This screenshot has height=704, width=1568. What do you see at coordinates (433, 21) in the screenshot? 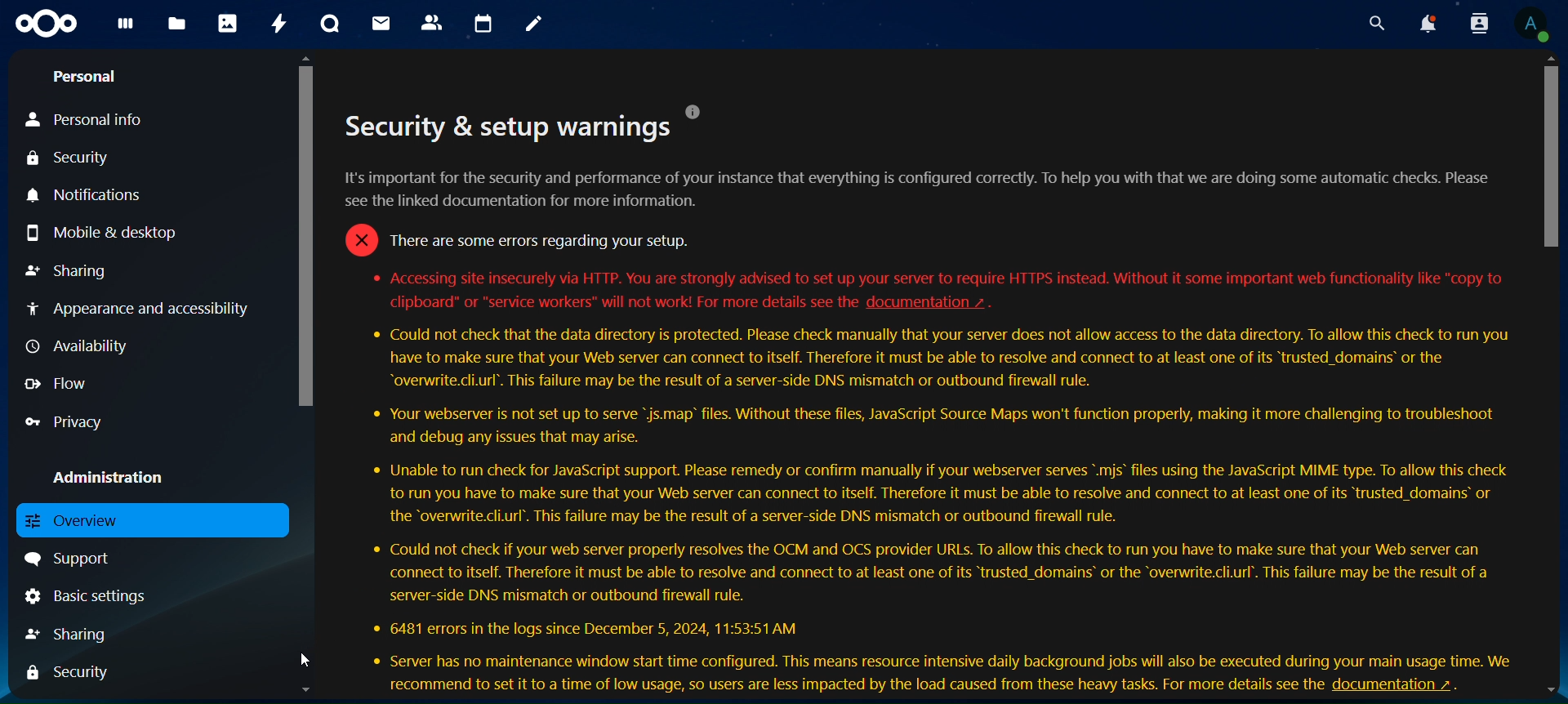
I see `contacts` at bounding box center [433, 21].